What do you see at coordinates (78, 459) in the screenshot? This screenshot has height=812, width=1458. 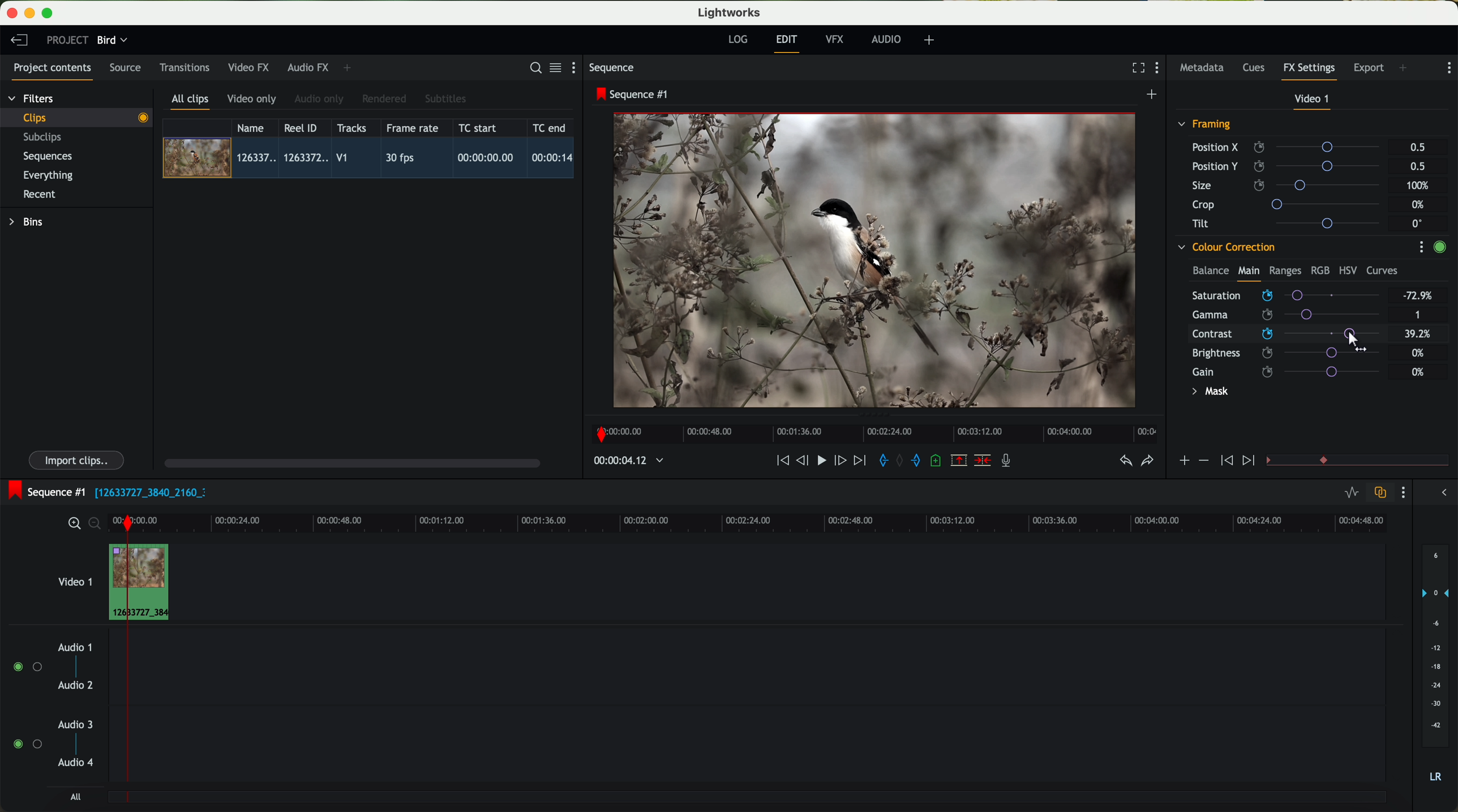 I see `import clips` at bounding box center [78, 459].